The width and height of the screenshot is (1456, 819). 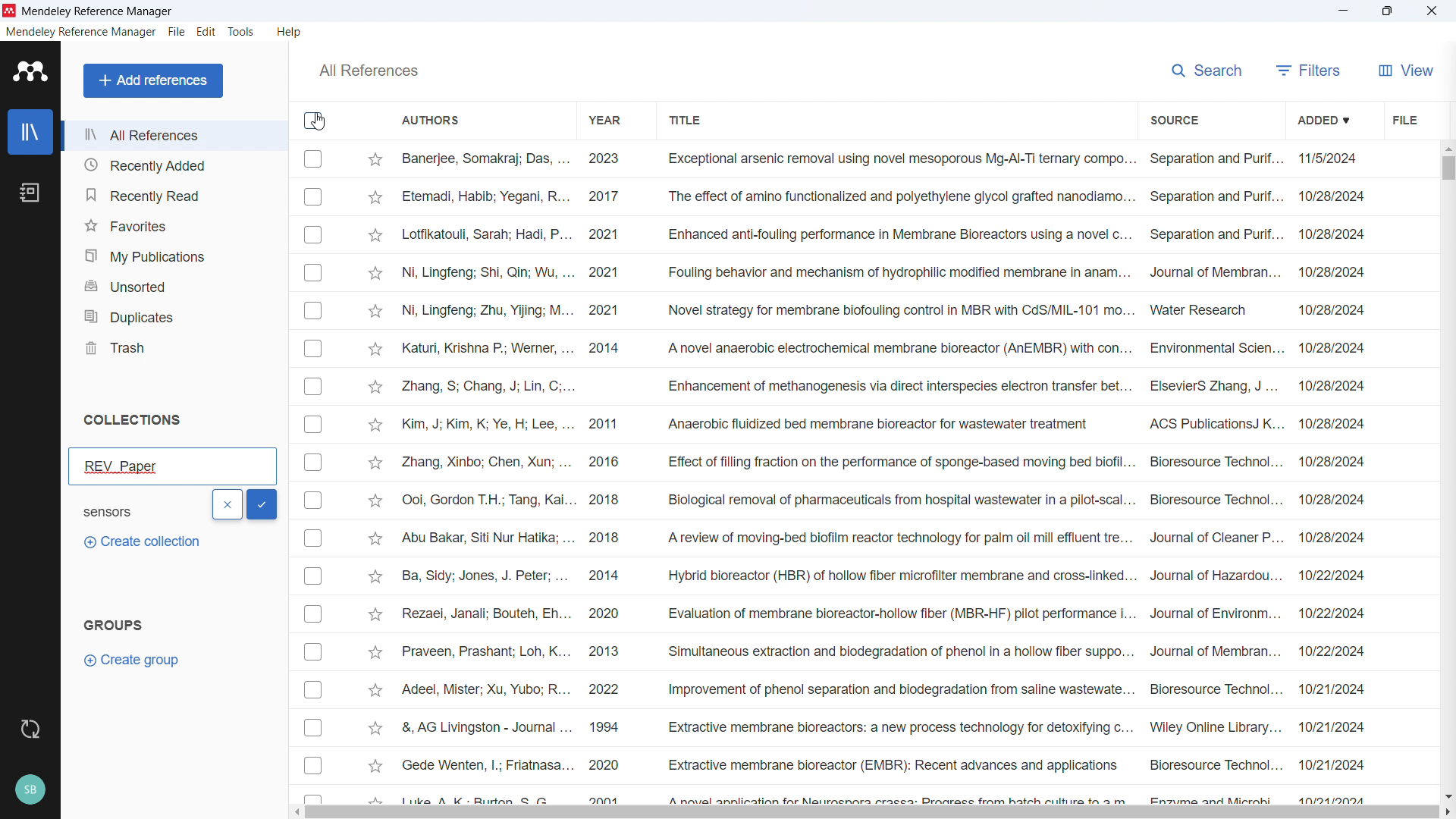 What do you see at coordinates (262, 505) in the screenshot?
I see `tick` at bounding box center [262, 505].